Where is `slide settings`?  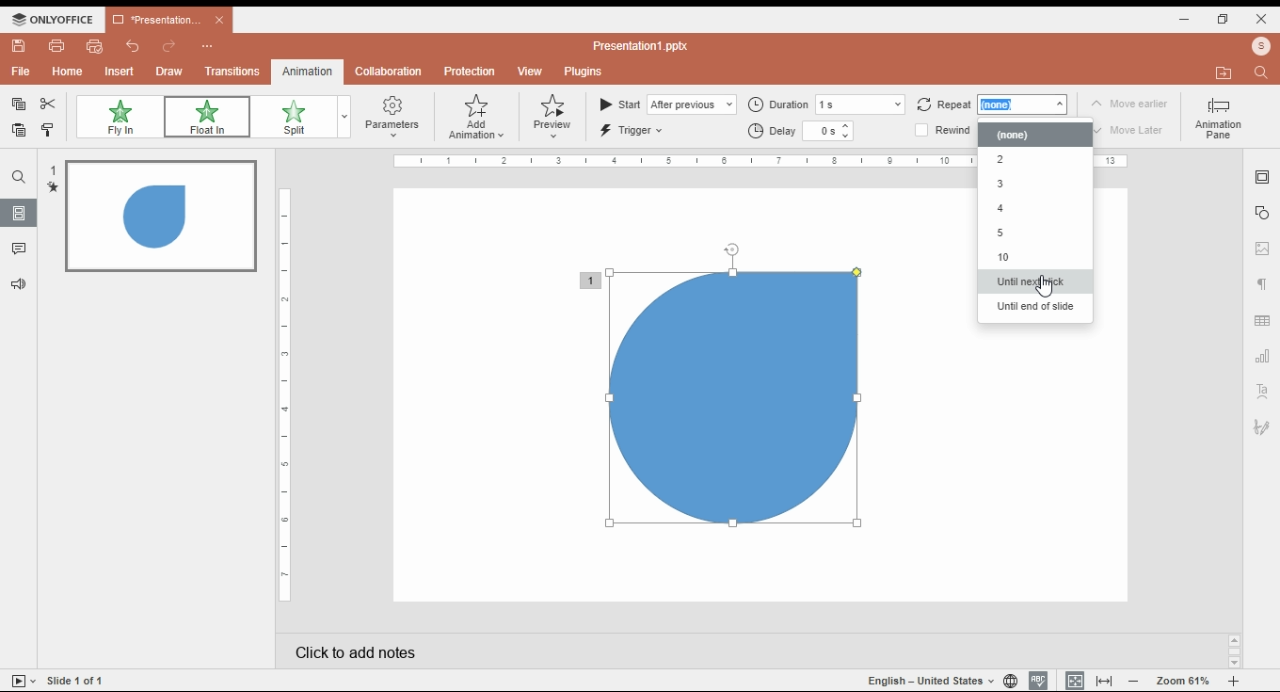
slide settings is located at coordinates (1261, 179).